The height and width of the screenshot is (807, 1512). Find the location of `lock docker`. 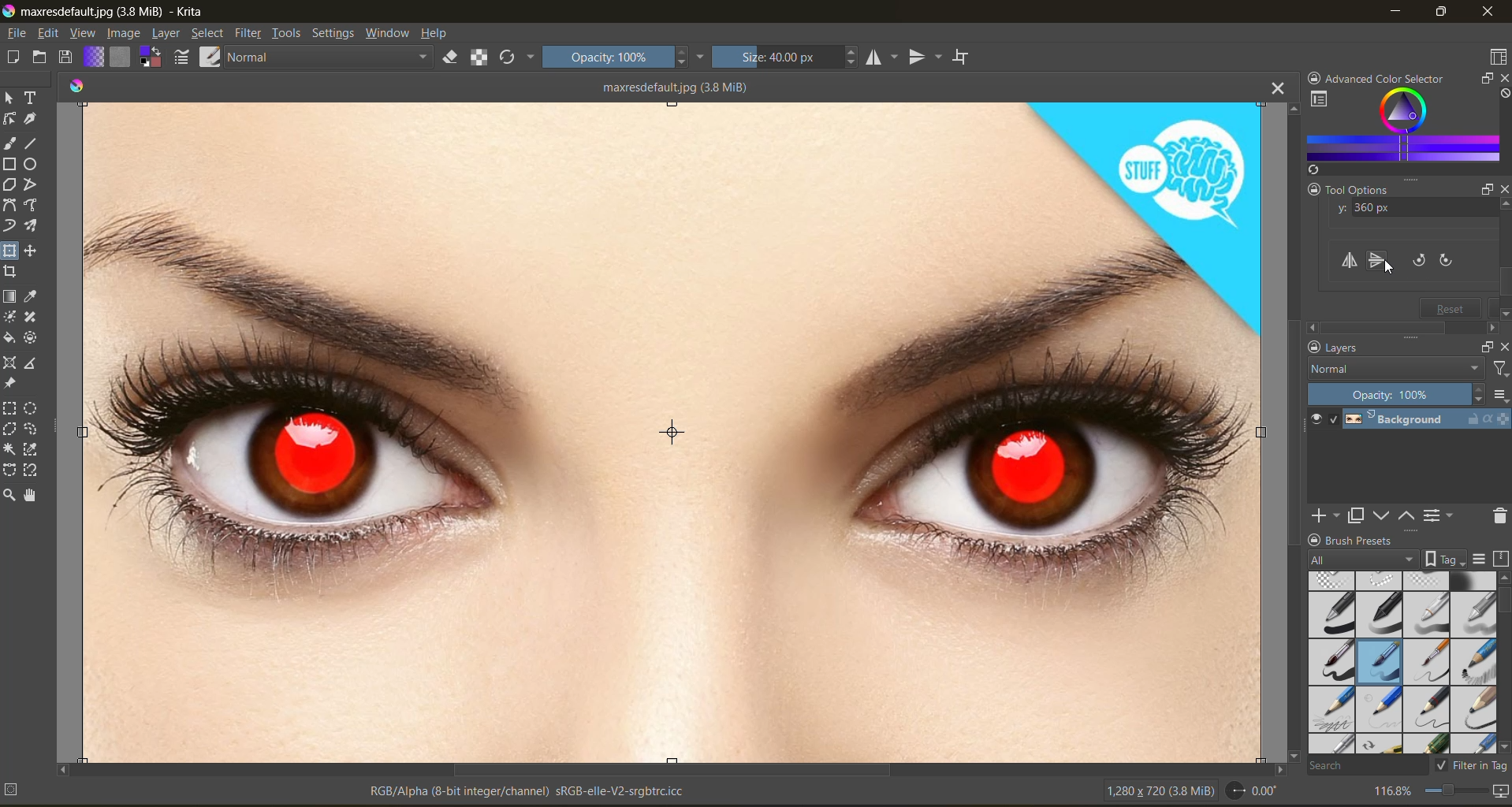

lock docker is located at coordinates (1315, 347).